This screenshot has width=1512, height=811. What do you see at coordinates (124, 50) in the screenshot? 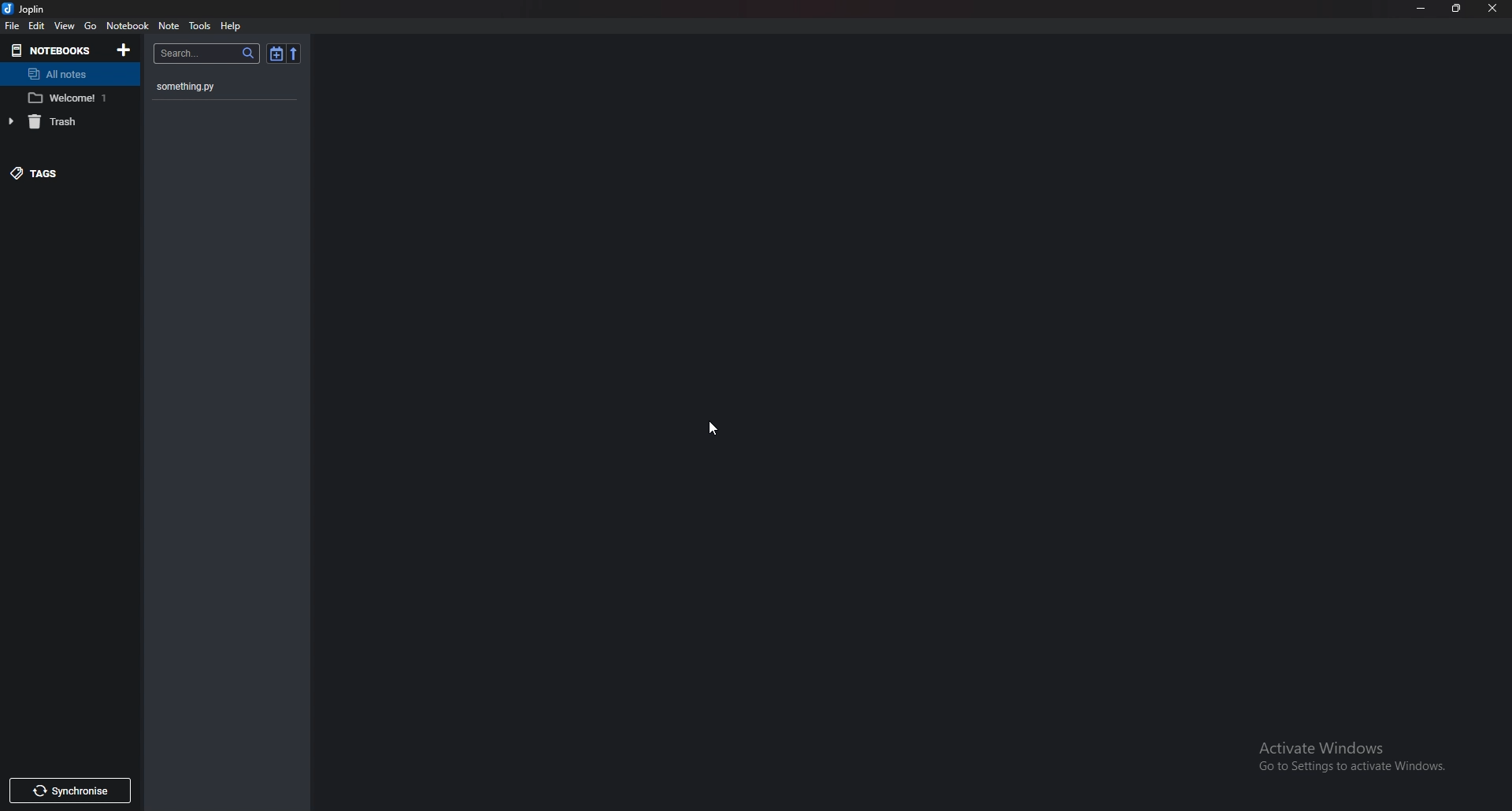
I see `Add notebooks` at bounding box center [124, 50].